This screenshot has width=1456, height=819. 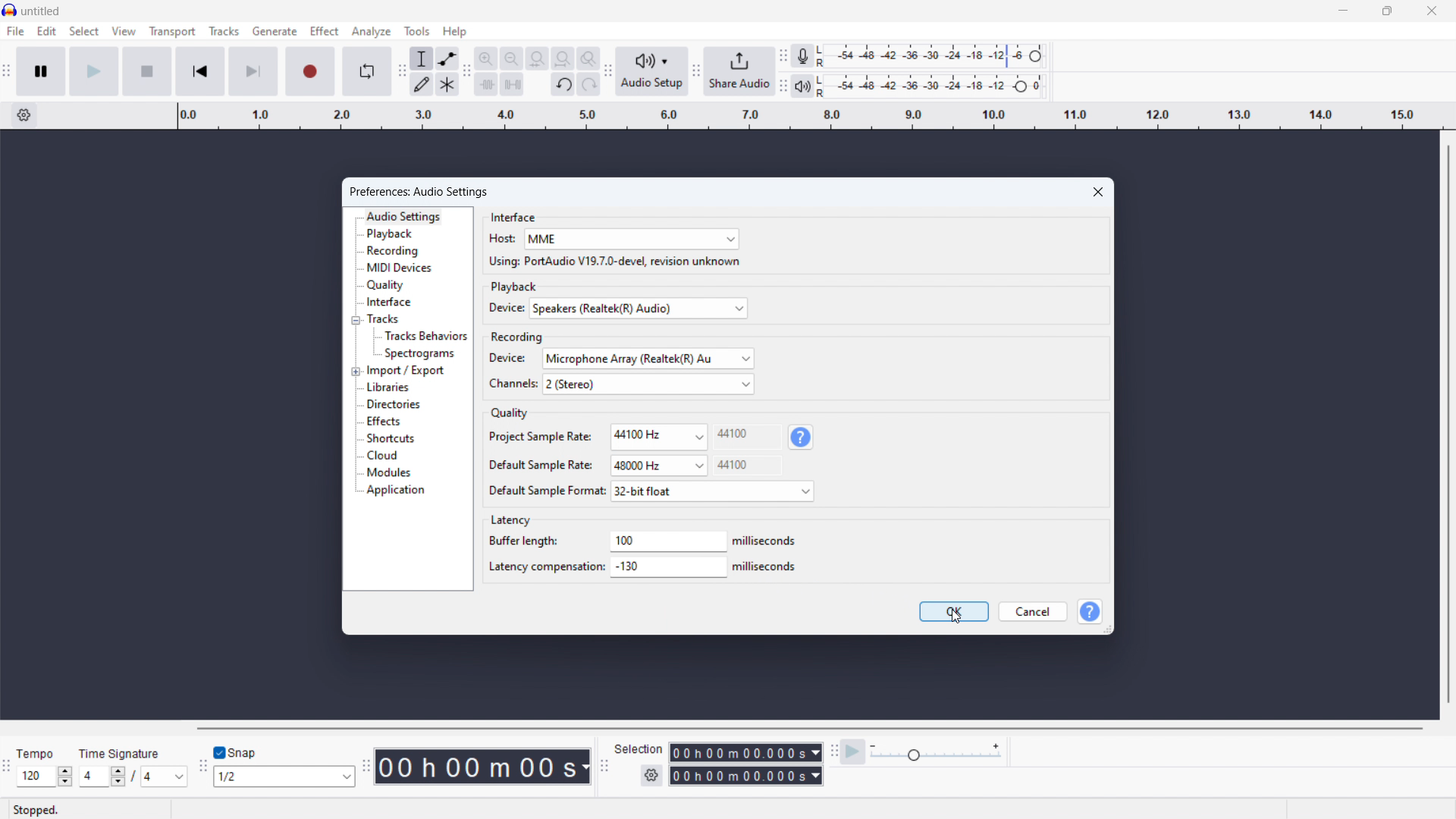 What do you see at coordinates (447, 84) in the screenshot?
I see `multi tool` at bounding box center [447, 84].